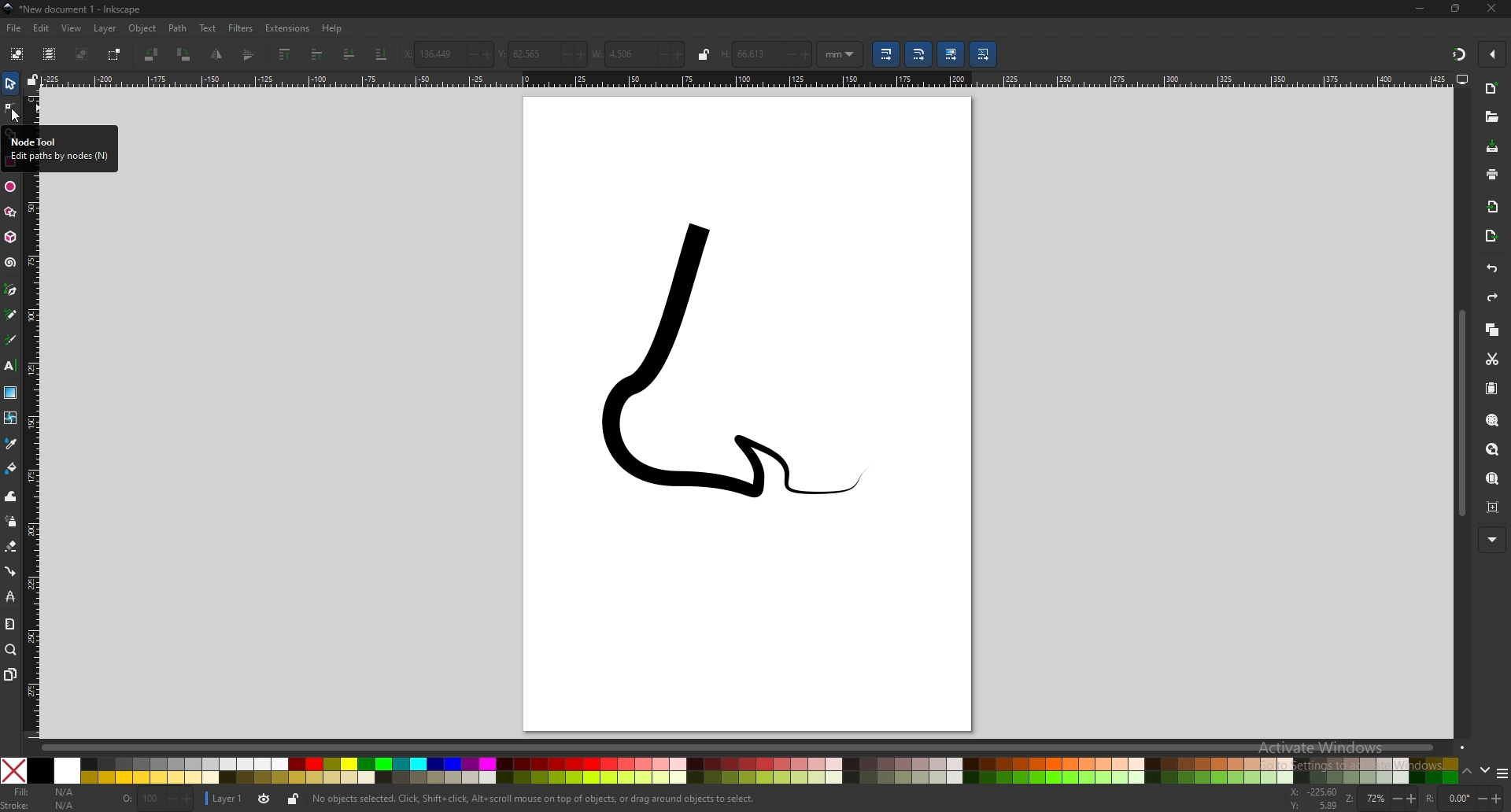 This screenshot has width=1511, height=812. I want to click on export, so click(1492, 235).